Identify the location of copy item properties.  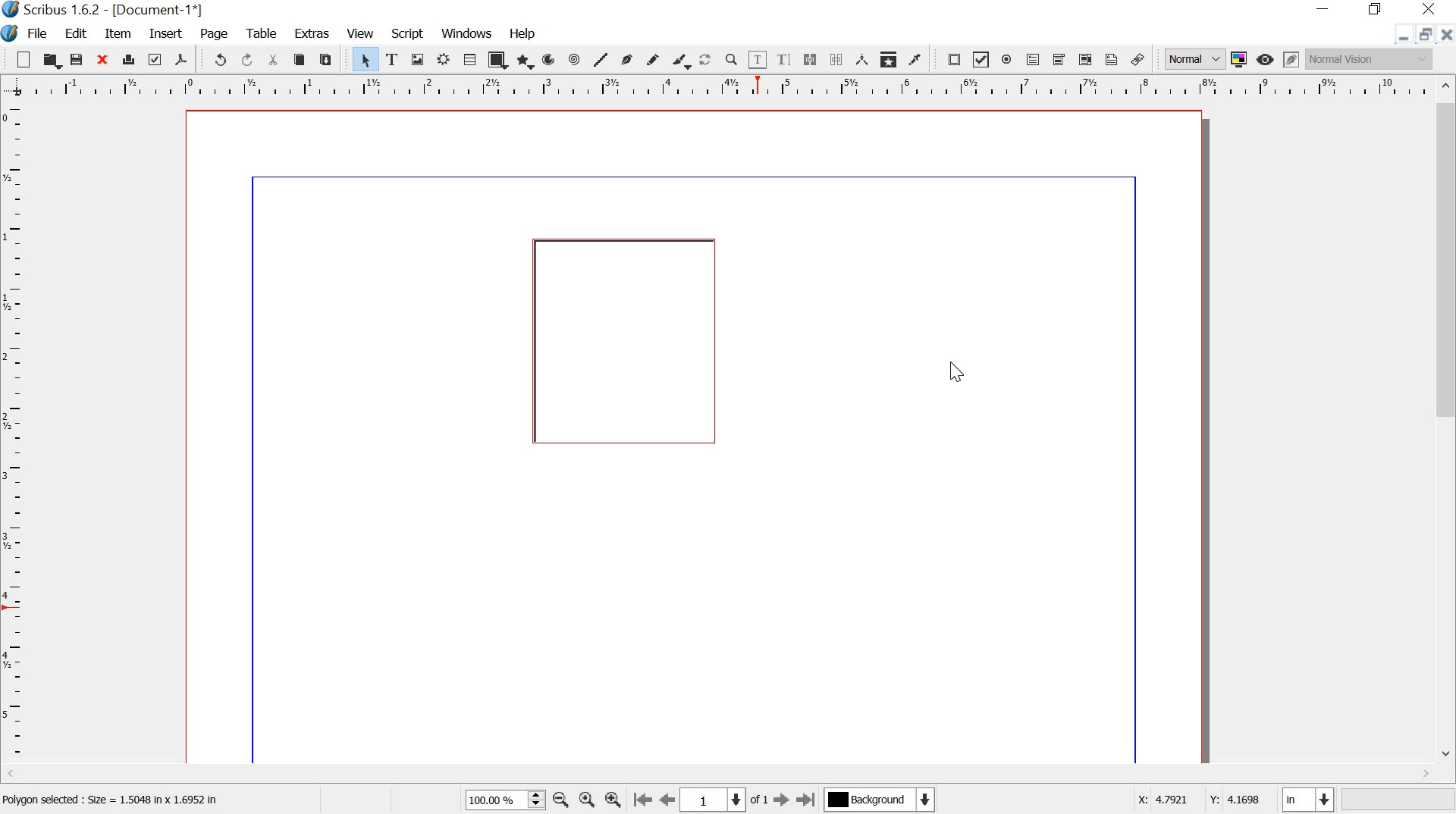
(890, 60).